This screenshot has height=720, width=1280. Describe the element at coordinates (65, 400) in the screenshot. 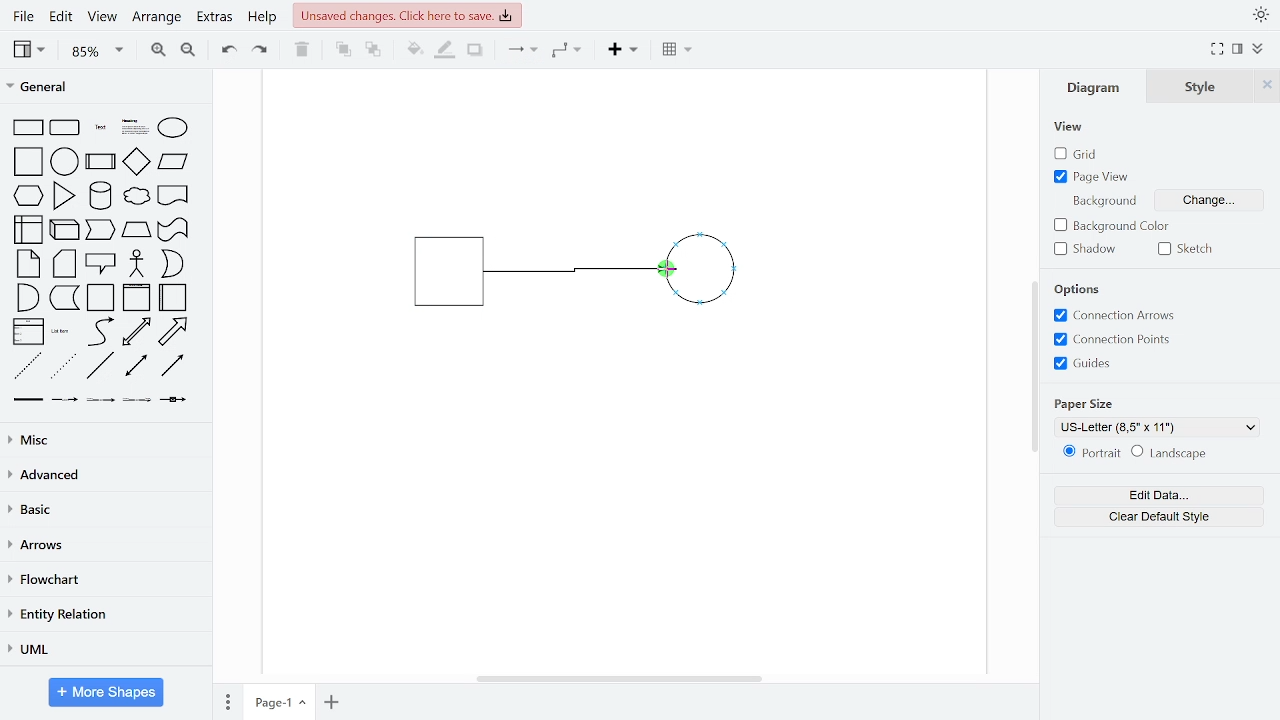

I see `connector with label` at that location.